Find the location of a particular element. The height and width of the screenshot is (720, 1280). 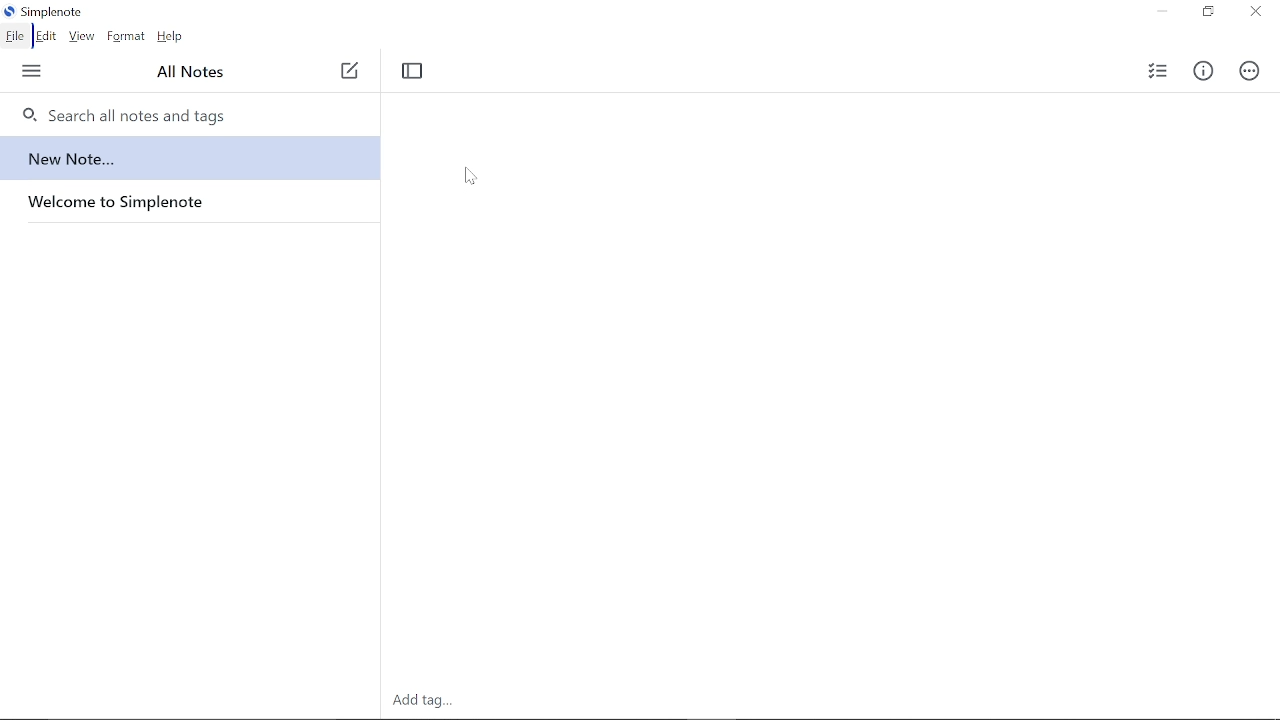

Menu is located at coordinates (34, 73).